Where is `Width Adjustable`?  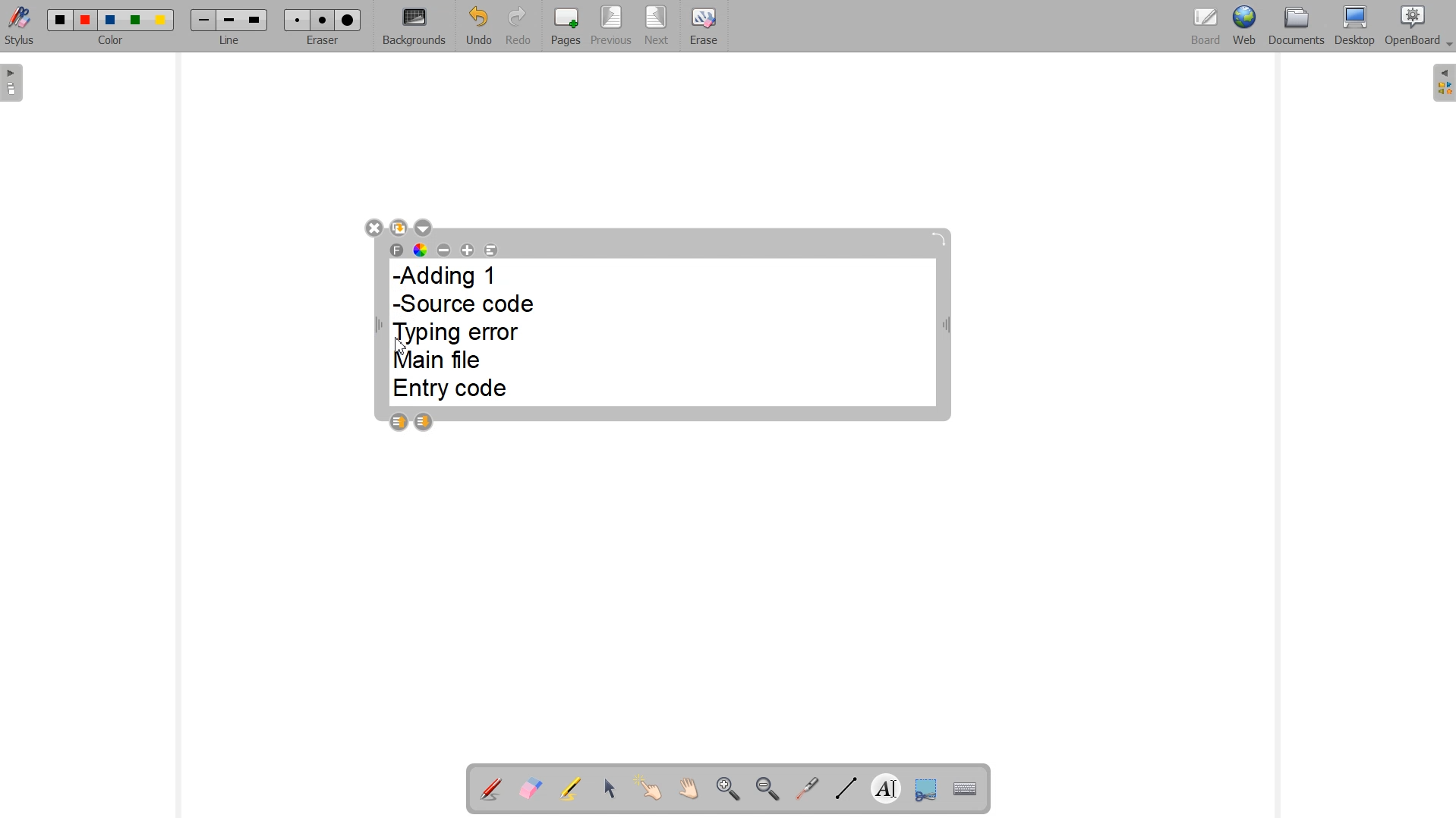 Width Adjustable is located at coordinates (381, 326).